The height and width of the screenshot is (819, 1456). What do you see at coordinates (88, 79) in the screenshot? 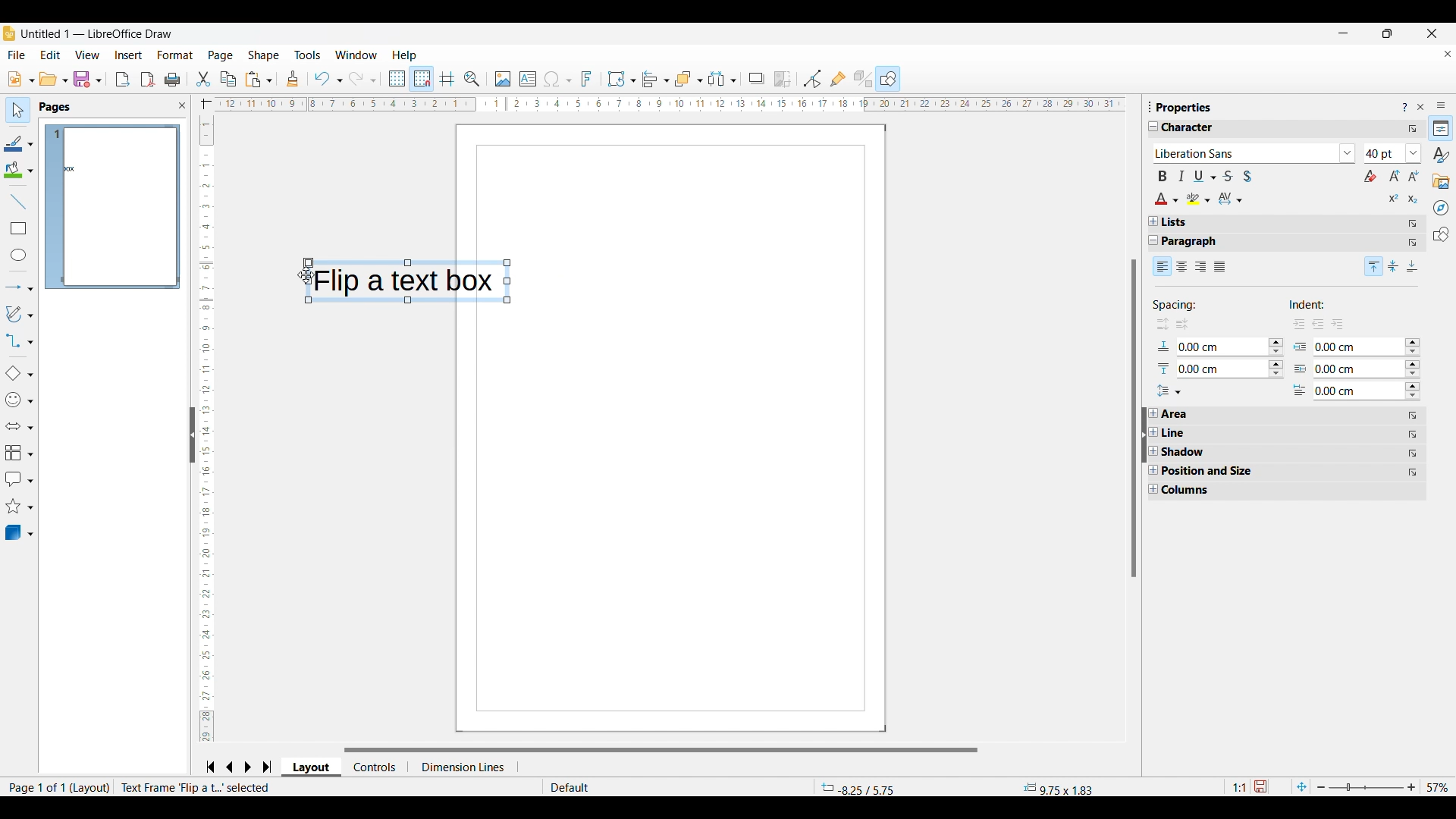
I see `Save options` at bounding box center [88, 79].